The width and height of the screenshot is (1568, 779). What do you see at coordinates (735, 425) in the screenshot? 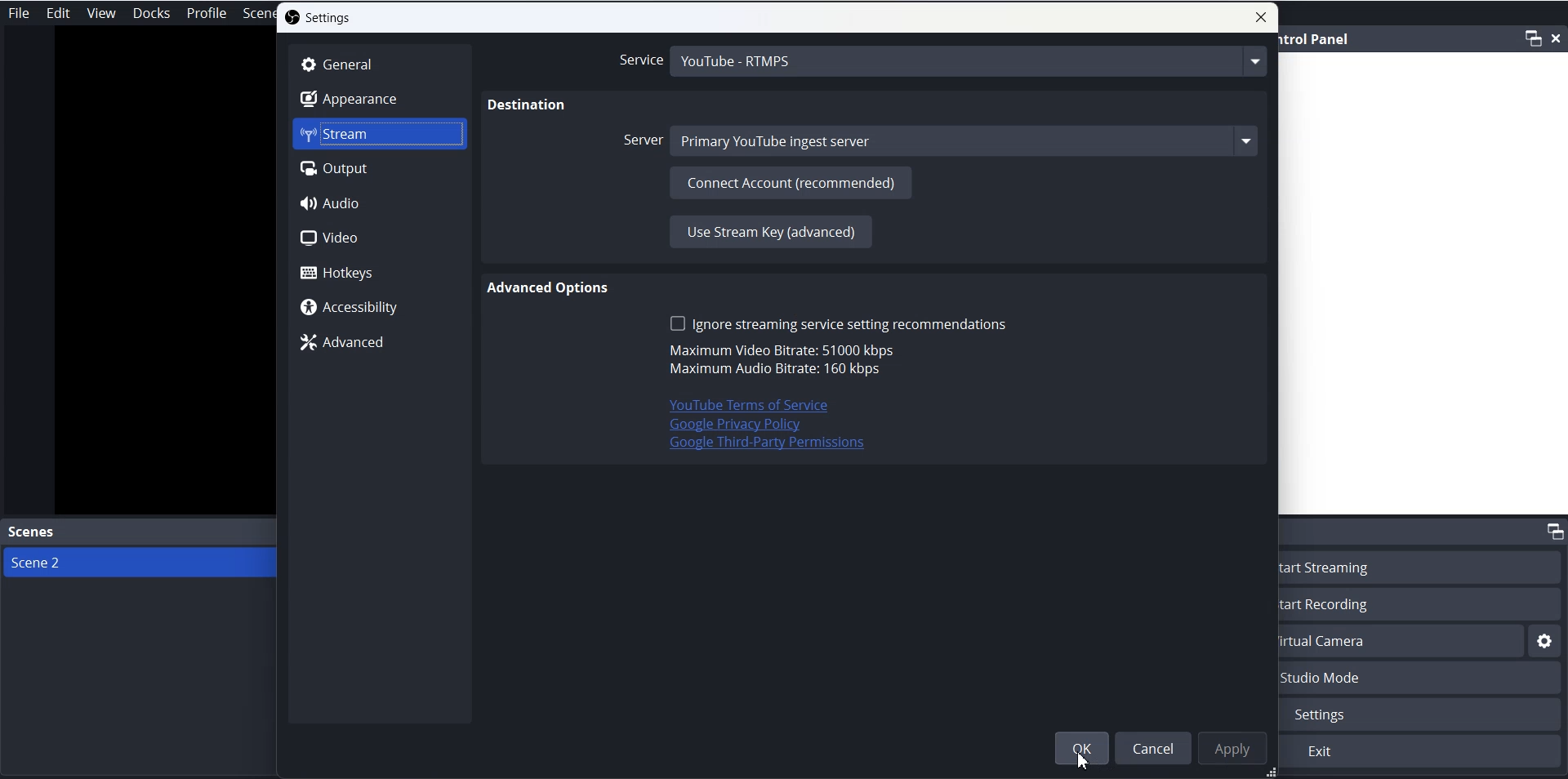
I see `Google Privacy policy` at bounding box center [735, 425].